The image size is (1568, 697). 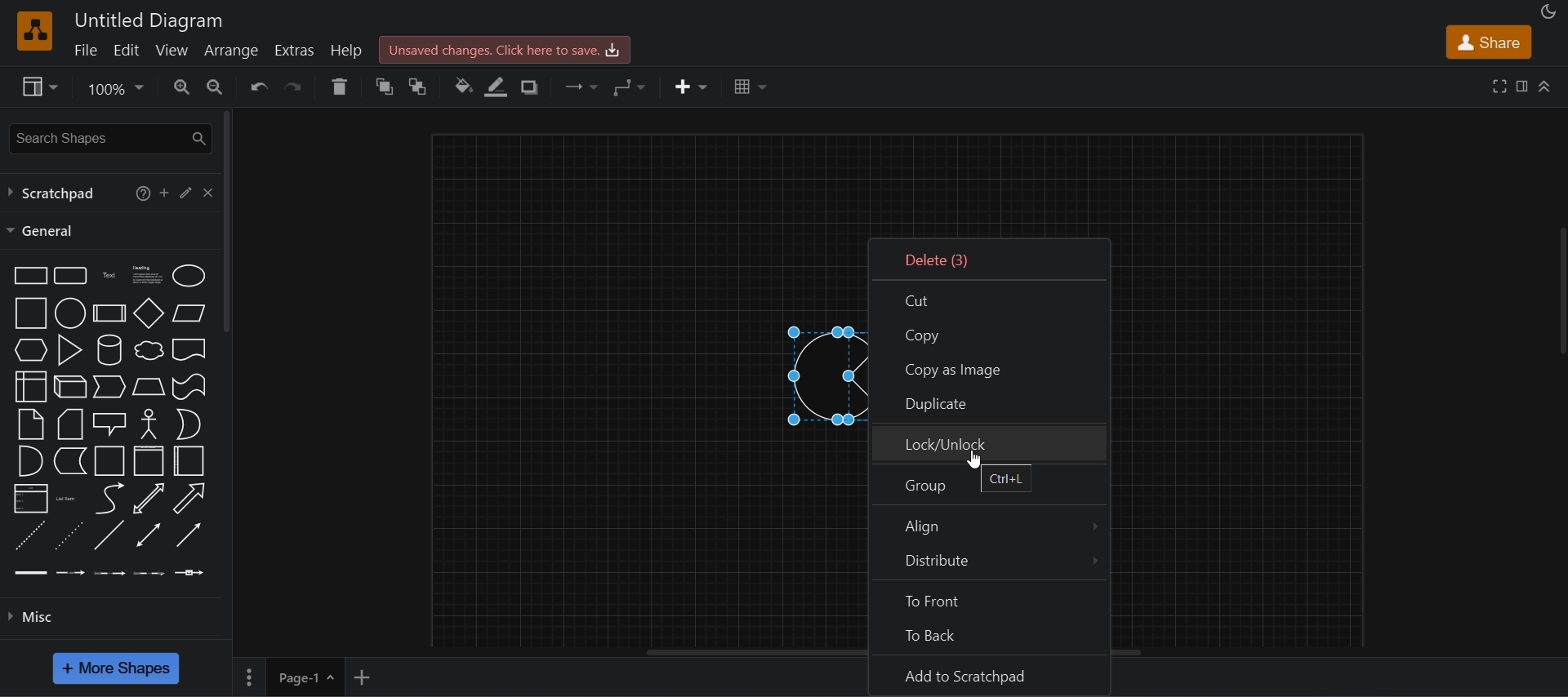 I want to click on undo, so click(x=258, y=87).